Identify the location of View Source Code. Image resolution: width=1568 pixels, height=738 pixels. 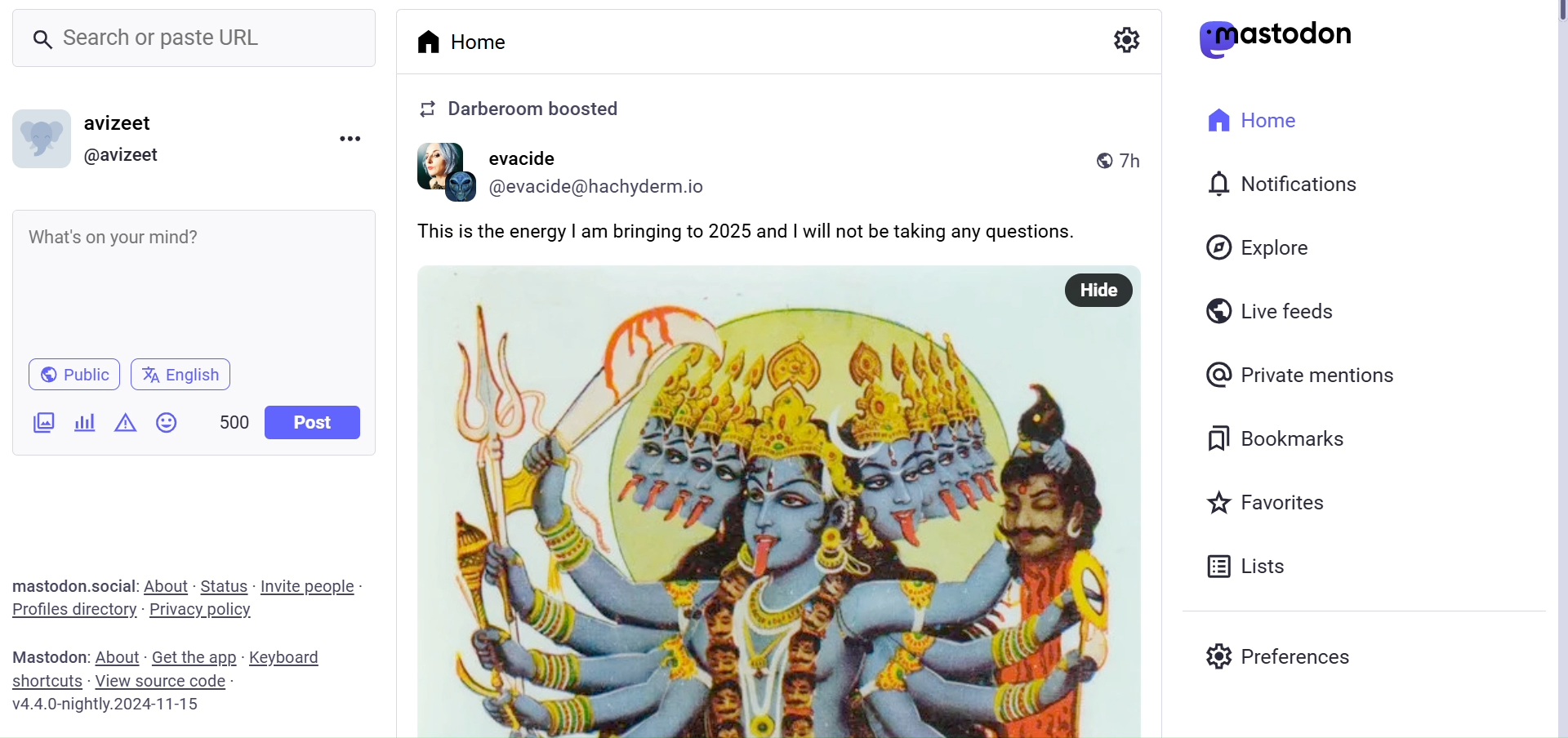
(165, 682).